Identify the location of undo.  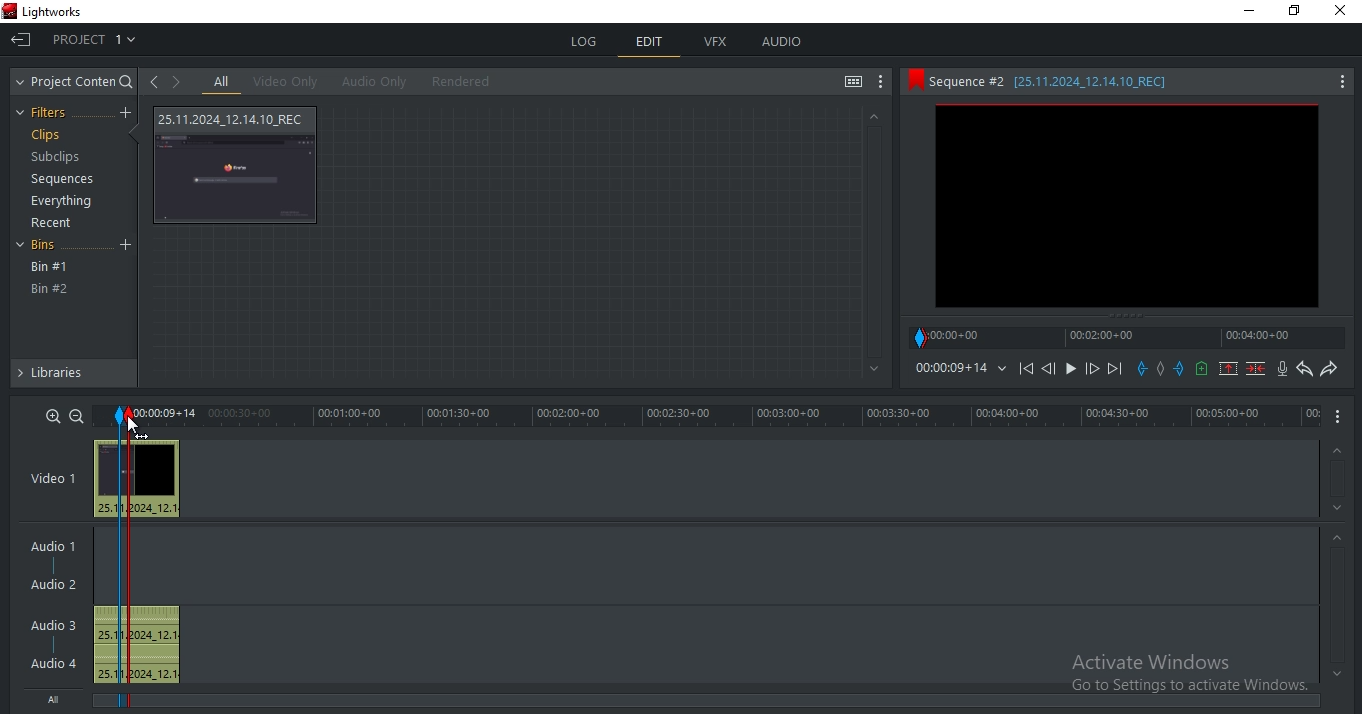
(1305, 369).